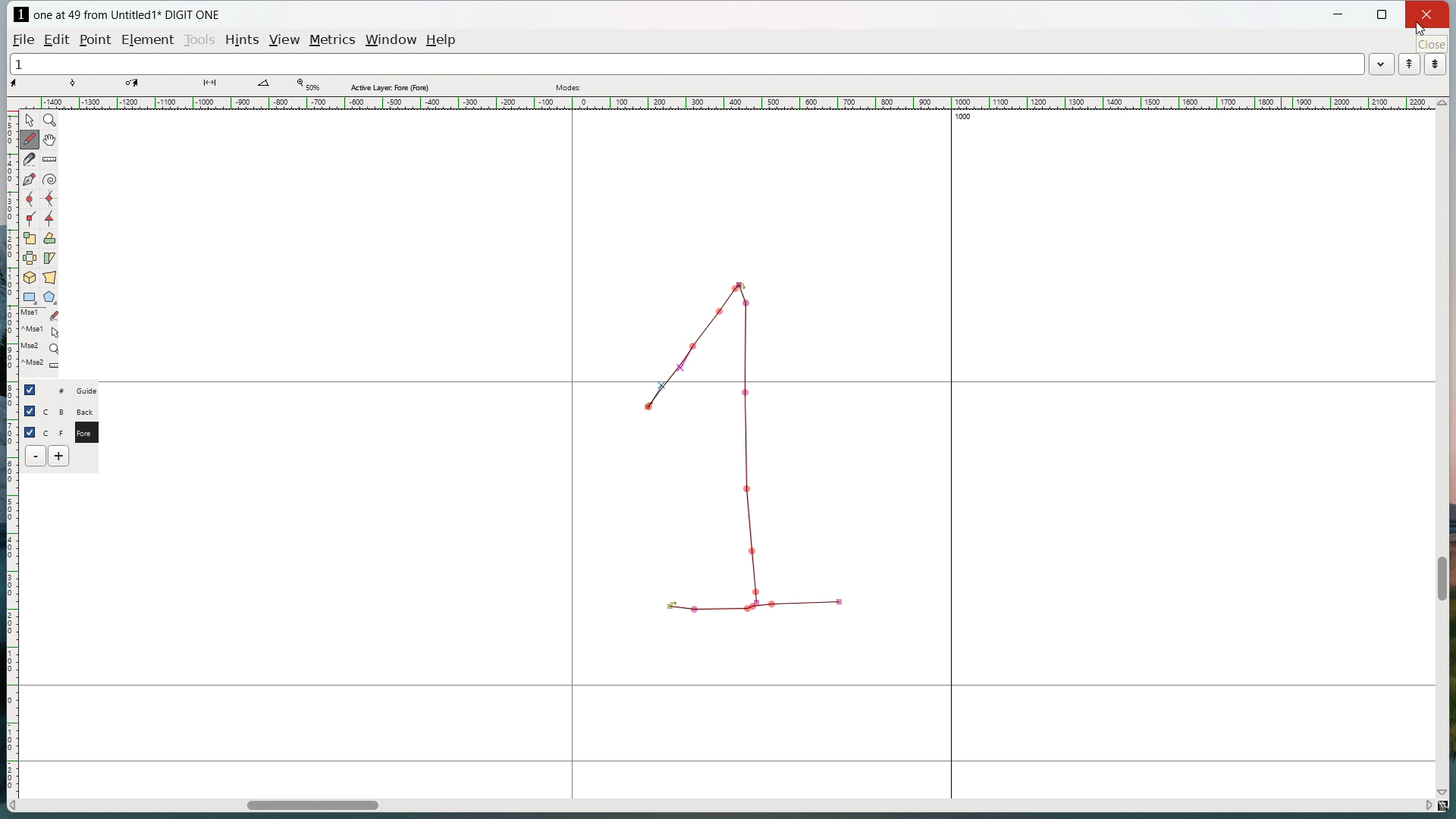 The width and height of the screenshot is (1456, 819). What do you see at coordinates (1441, 579) in the screenshot?
I see `vertical scrollbar` at bounding box center [1441, 579].